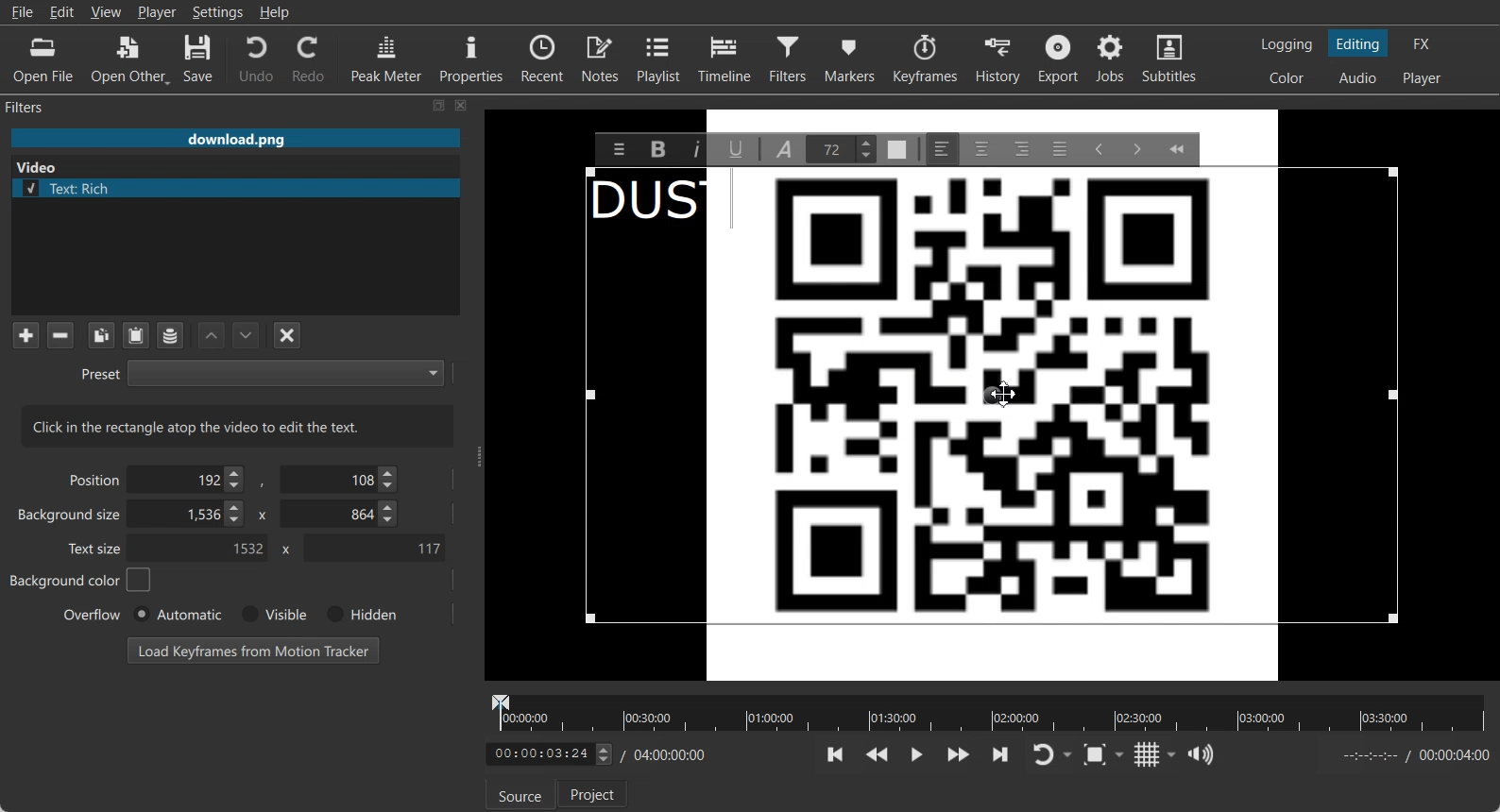  Describe the element at coordinates (262, 372) in the screenshot. I see `Preset` at that location.